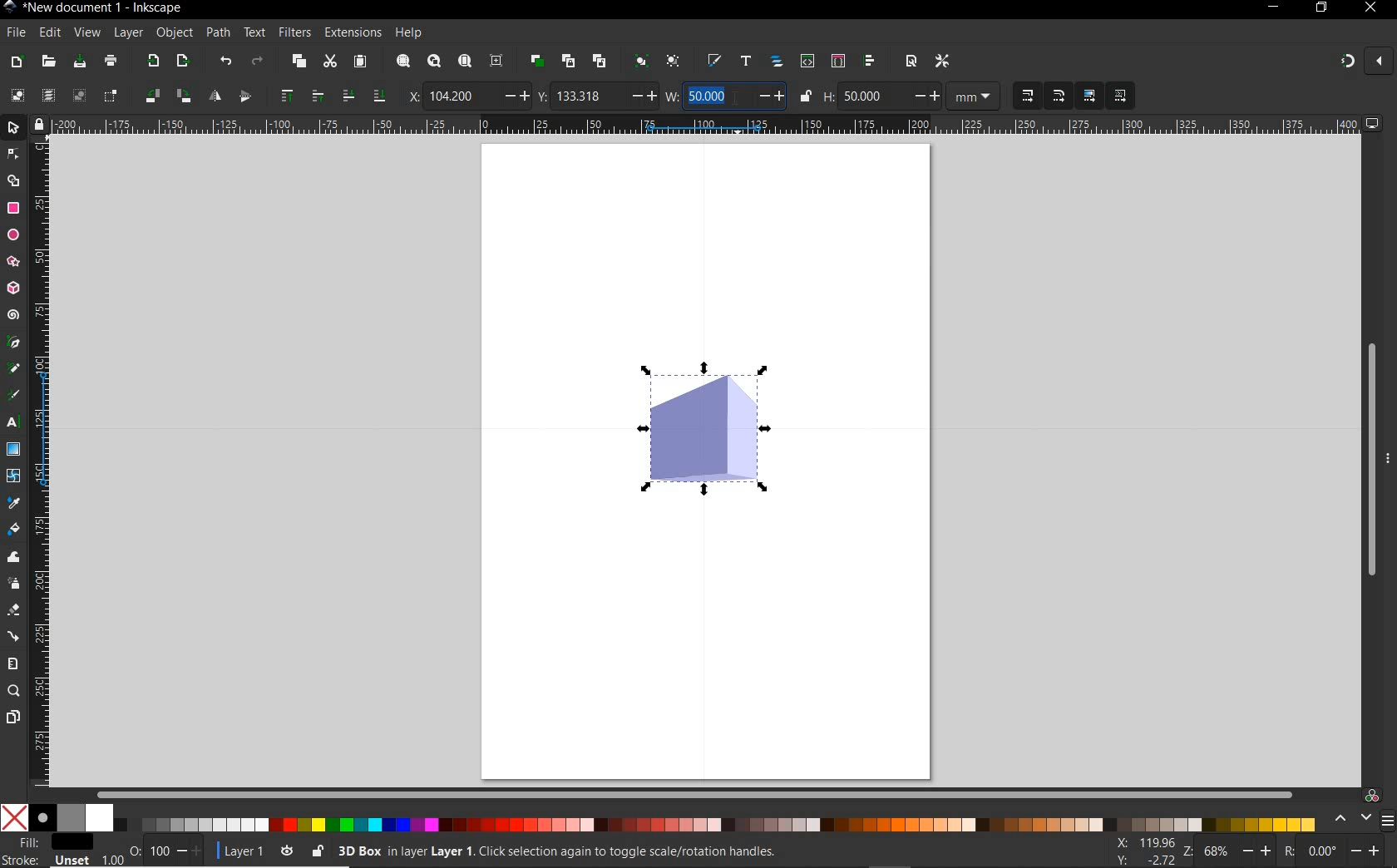 The height and width of the screenshot is (868, 1397). Describe the element at coordinates (639, 60) in the screenshot. I see `group` at that location.